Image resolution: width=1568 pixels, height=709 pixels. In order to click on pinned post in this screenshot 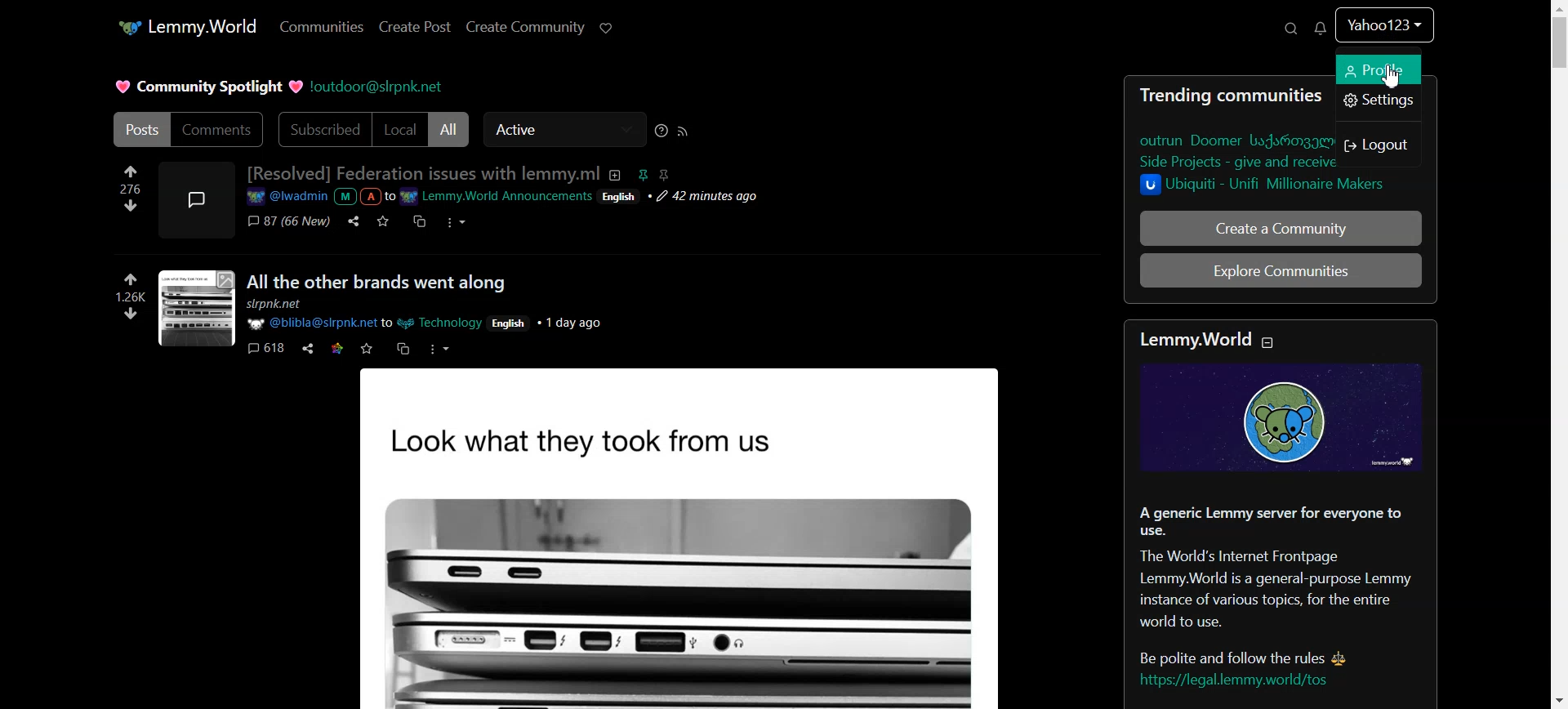, I will do `click(640, 174)`.